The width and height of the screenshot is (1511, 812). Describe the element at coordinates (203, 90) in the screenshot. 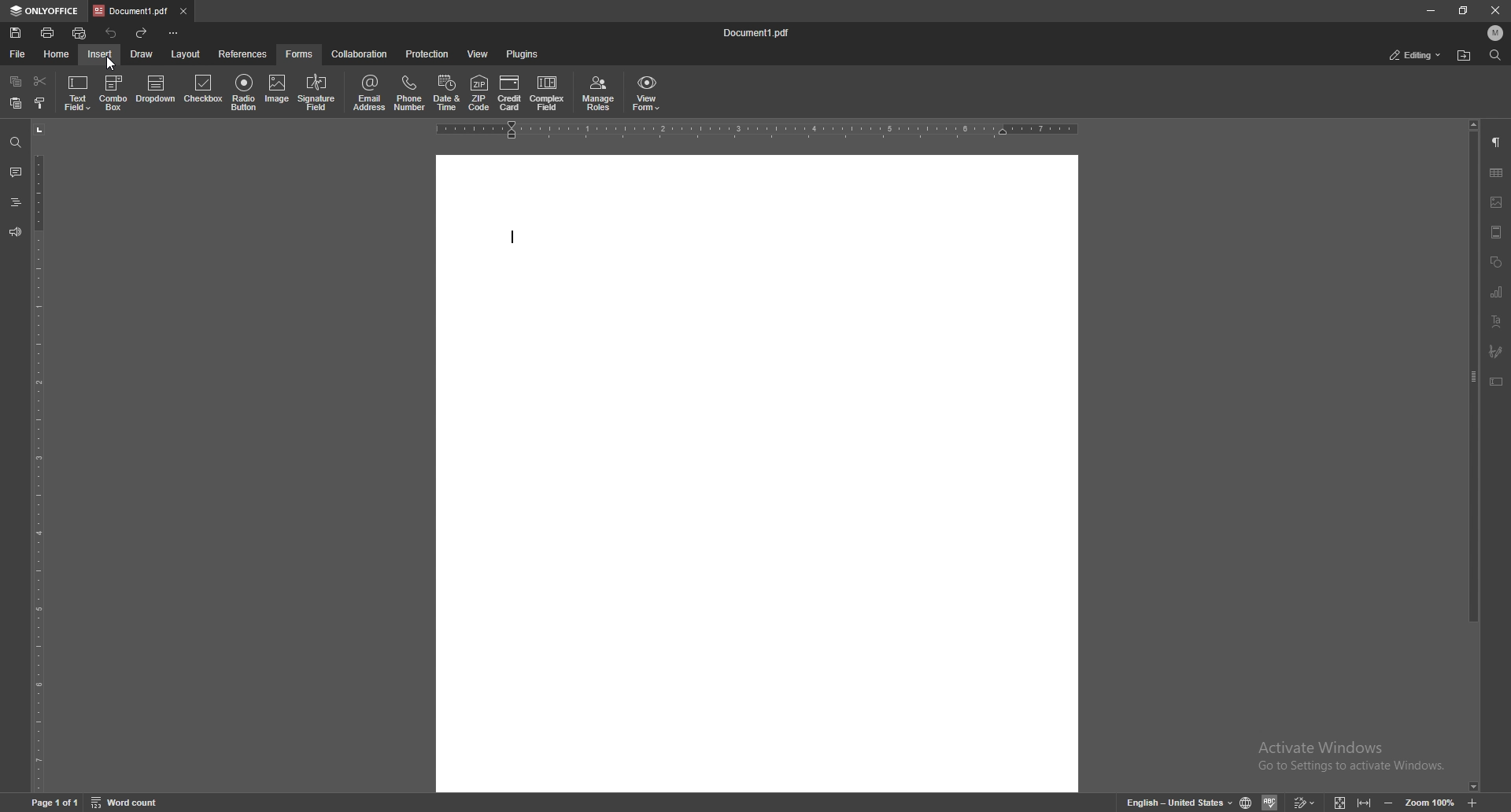

I see `checkbox` at that location.